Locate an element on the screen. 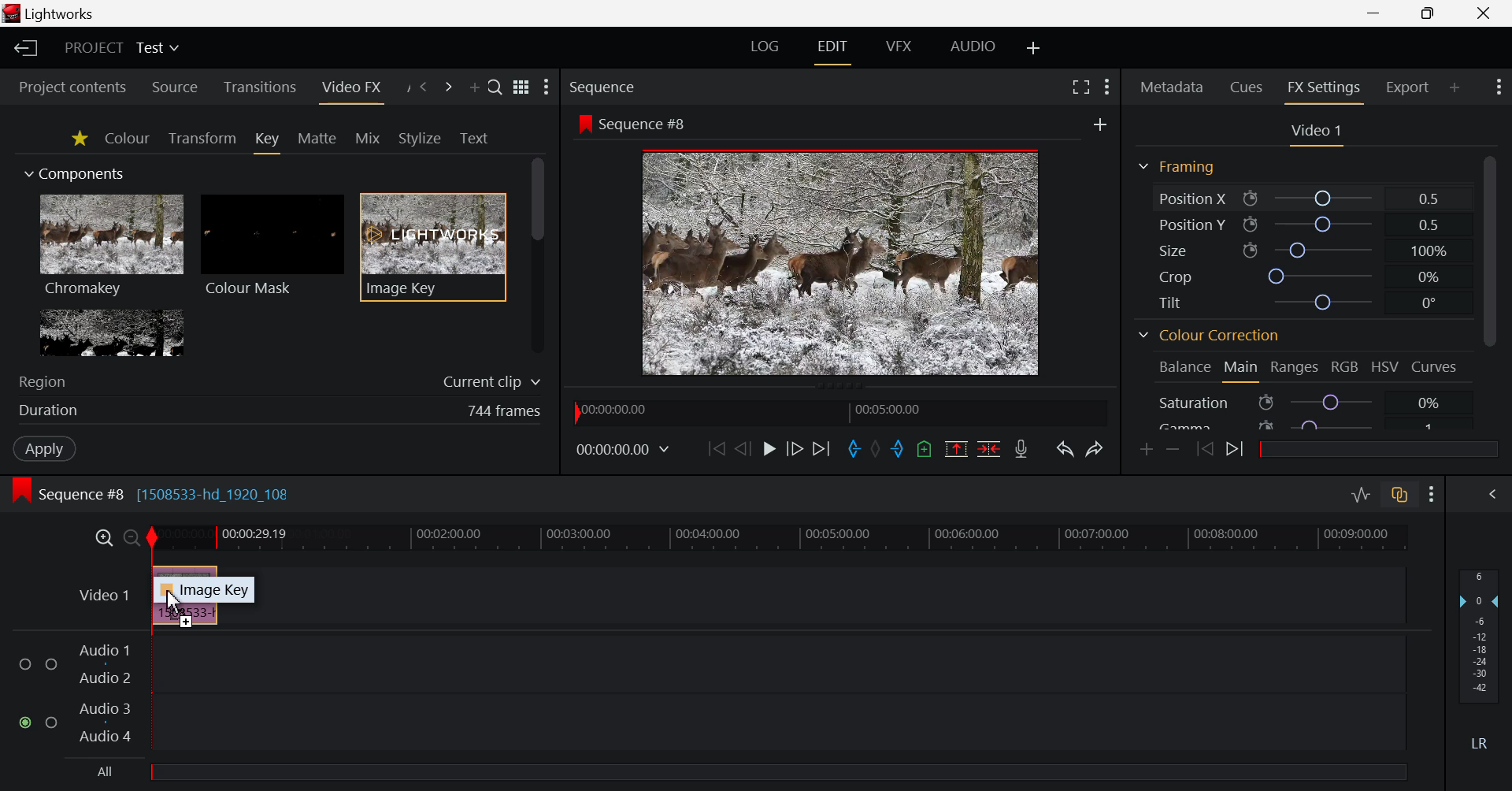 This screenshot has width=1512, height=791. Show Settings is located at coordinates (550, 91).